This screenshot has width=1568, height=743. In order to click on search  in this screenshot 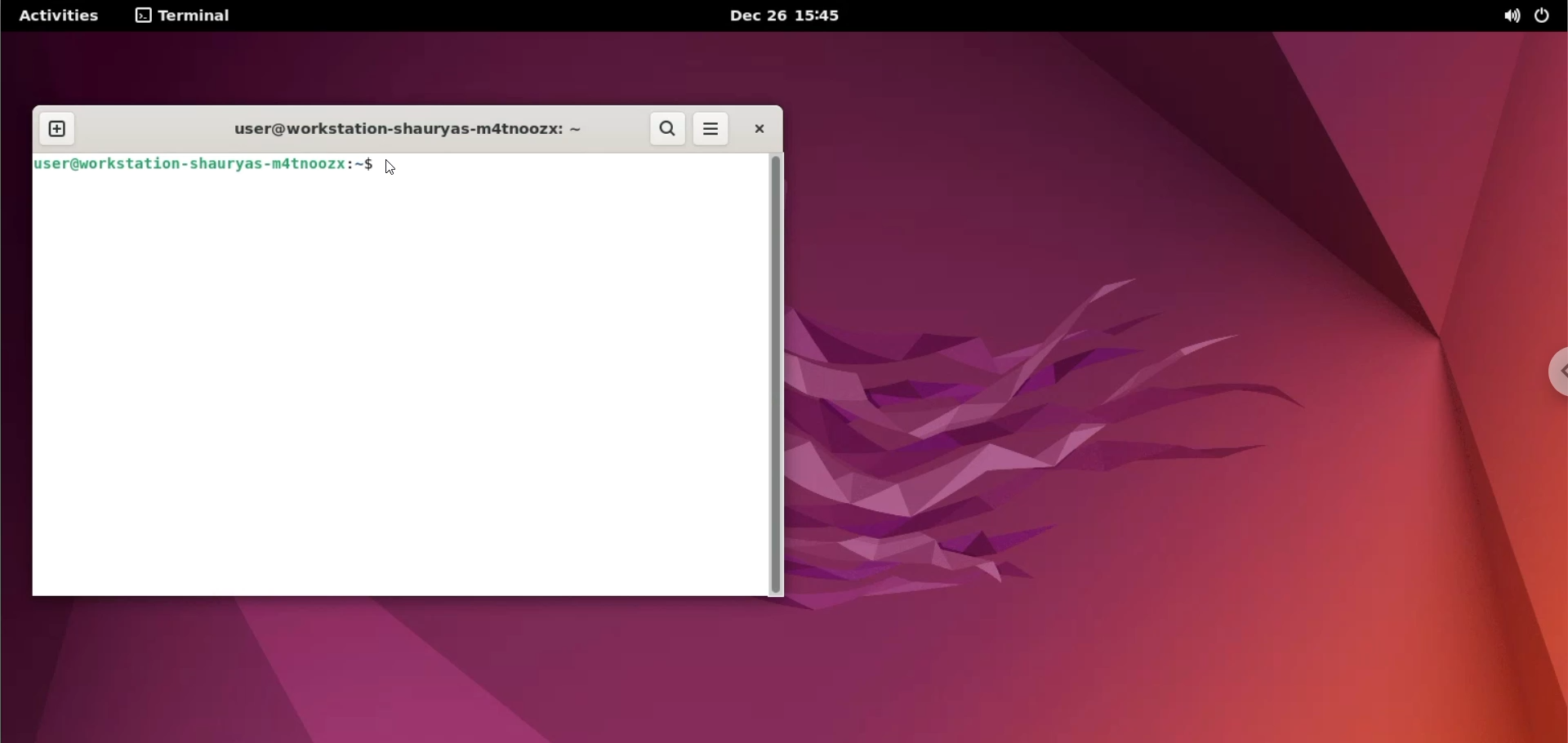, I will do `click(665, 130)`.